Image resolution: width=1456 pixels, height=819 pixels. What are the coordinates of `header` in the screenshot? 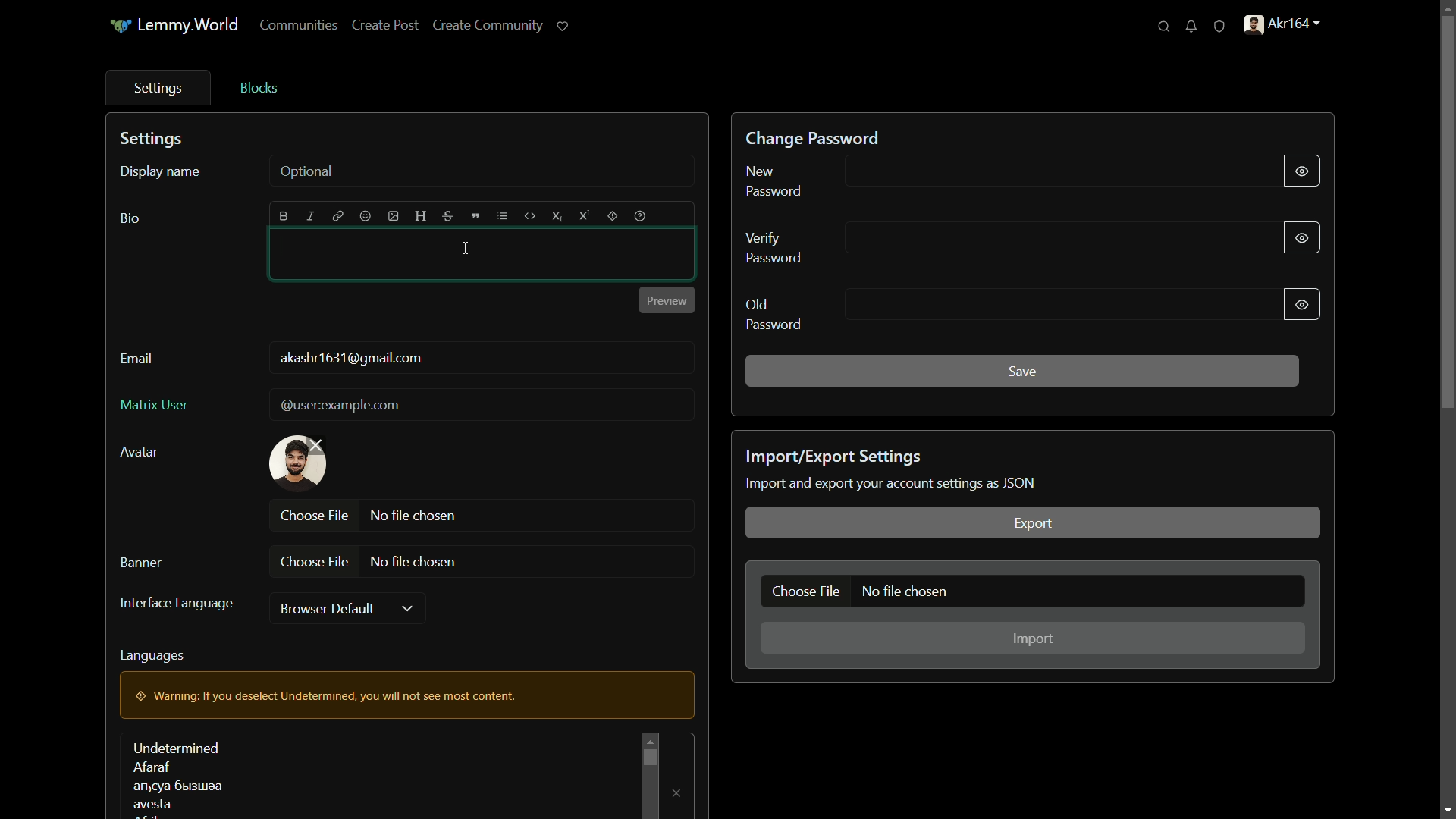 It's located at (420, 215).